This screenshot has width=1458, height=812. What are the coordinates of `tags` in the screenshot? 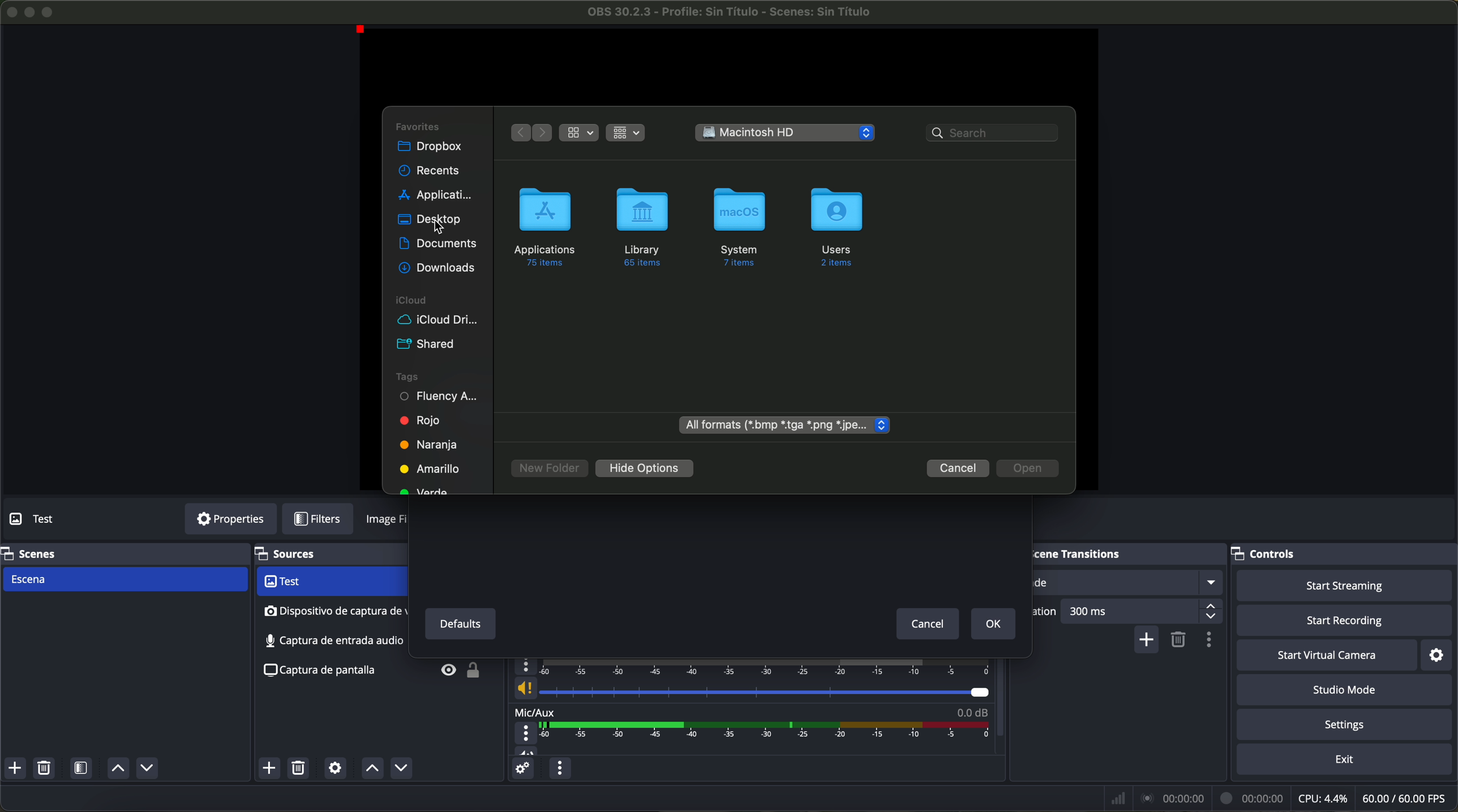 It's located at (409, 377).